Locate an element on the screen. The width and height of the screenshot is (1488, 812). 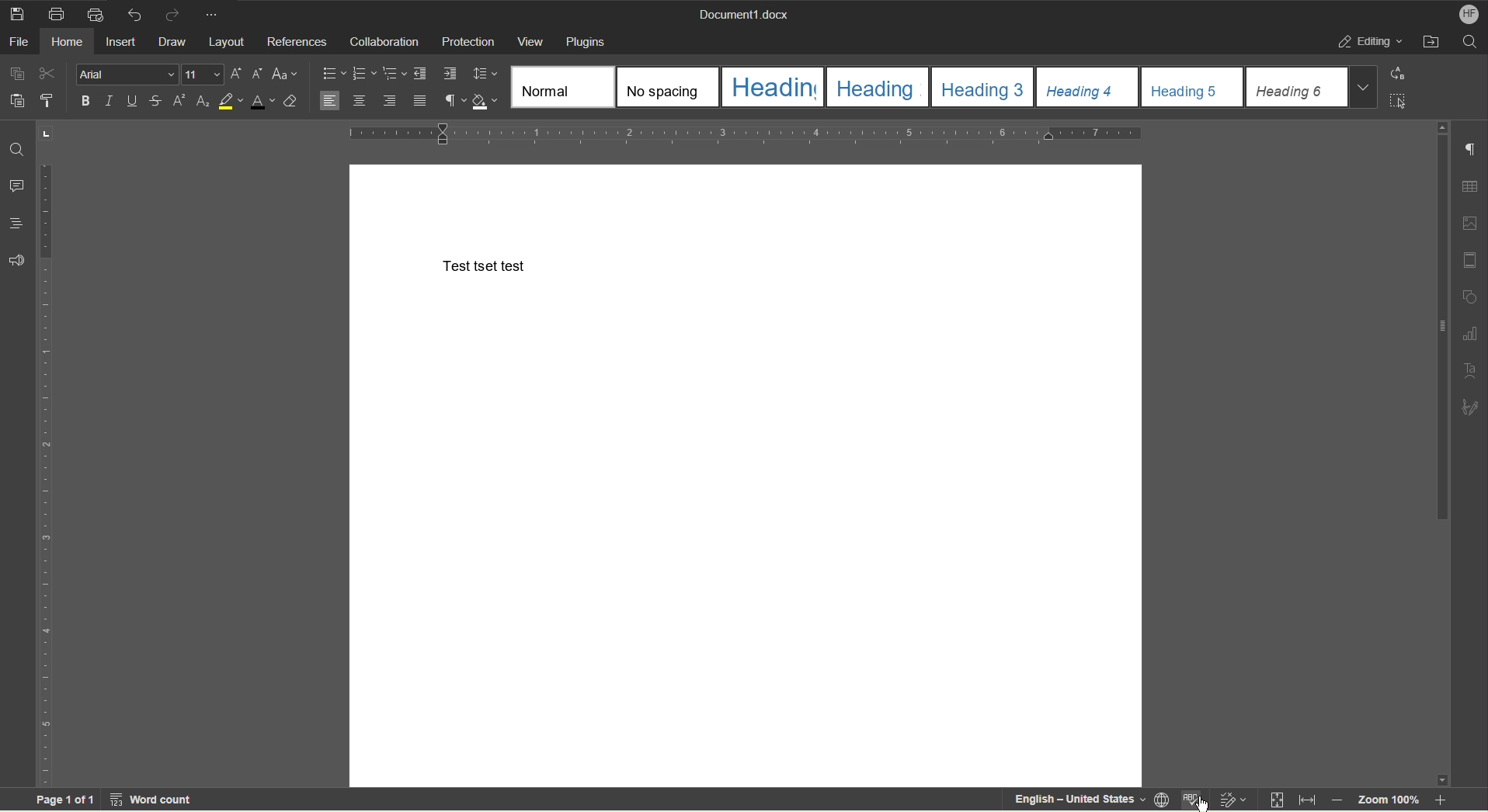
Open File Location is located at coordinates (1430, 41).